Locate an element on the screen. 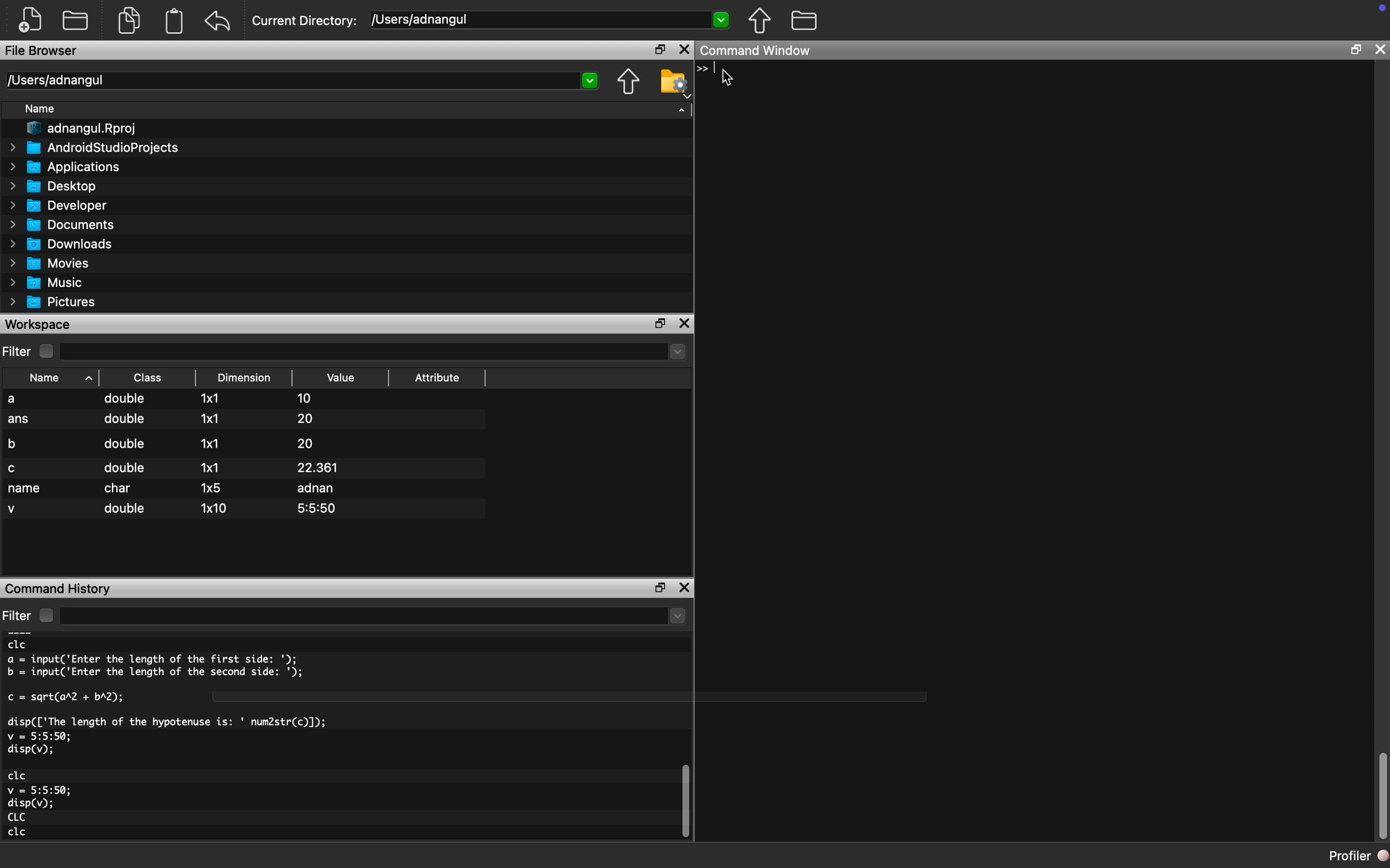 The width and height of the screenshot is (1390, 868).  one directory up is located at coordinates (625, 81).